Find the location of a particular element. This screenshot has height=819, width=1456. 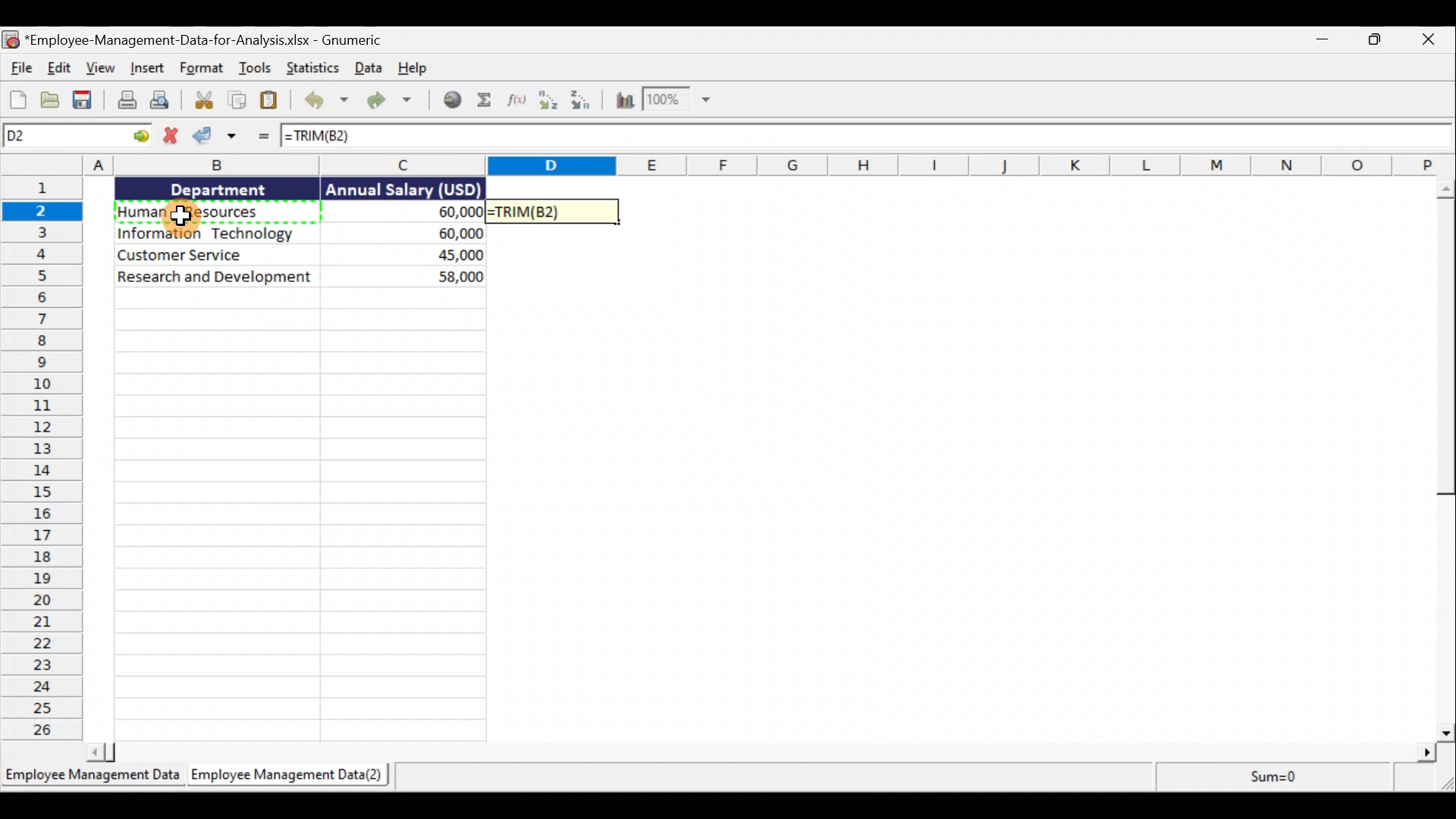

Tooltip is located at coordinates (344, 190).